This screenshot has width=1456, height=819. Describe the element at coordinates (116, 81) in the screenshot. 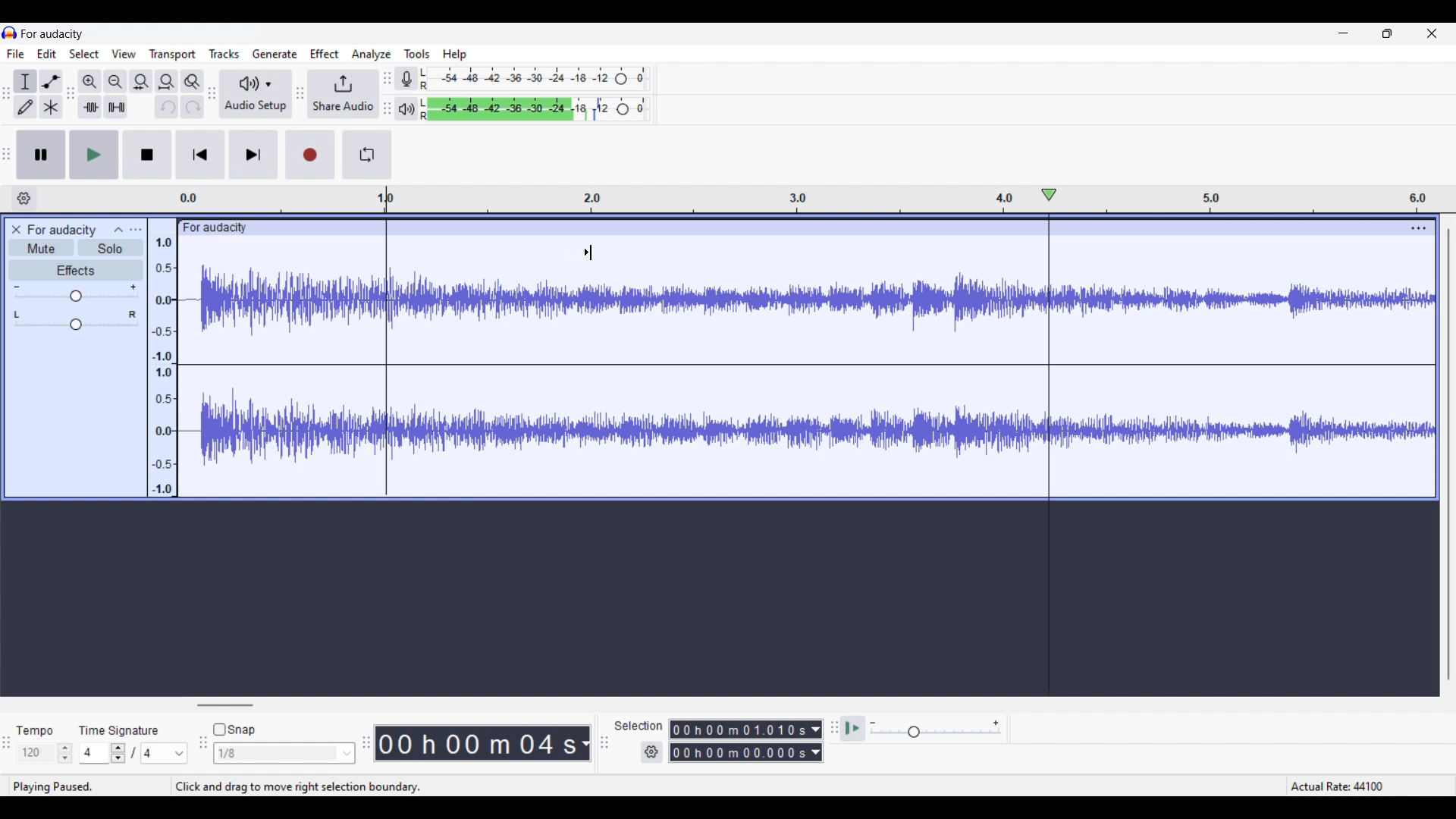

I see `Zoom out` at that location.